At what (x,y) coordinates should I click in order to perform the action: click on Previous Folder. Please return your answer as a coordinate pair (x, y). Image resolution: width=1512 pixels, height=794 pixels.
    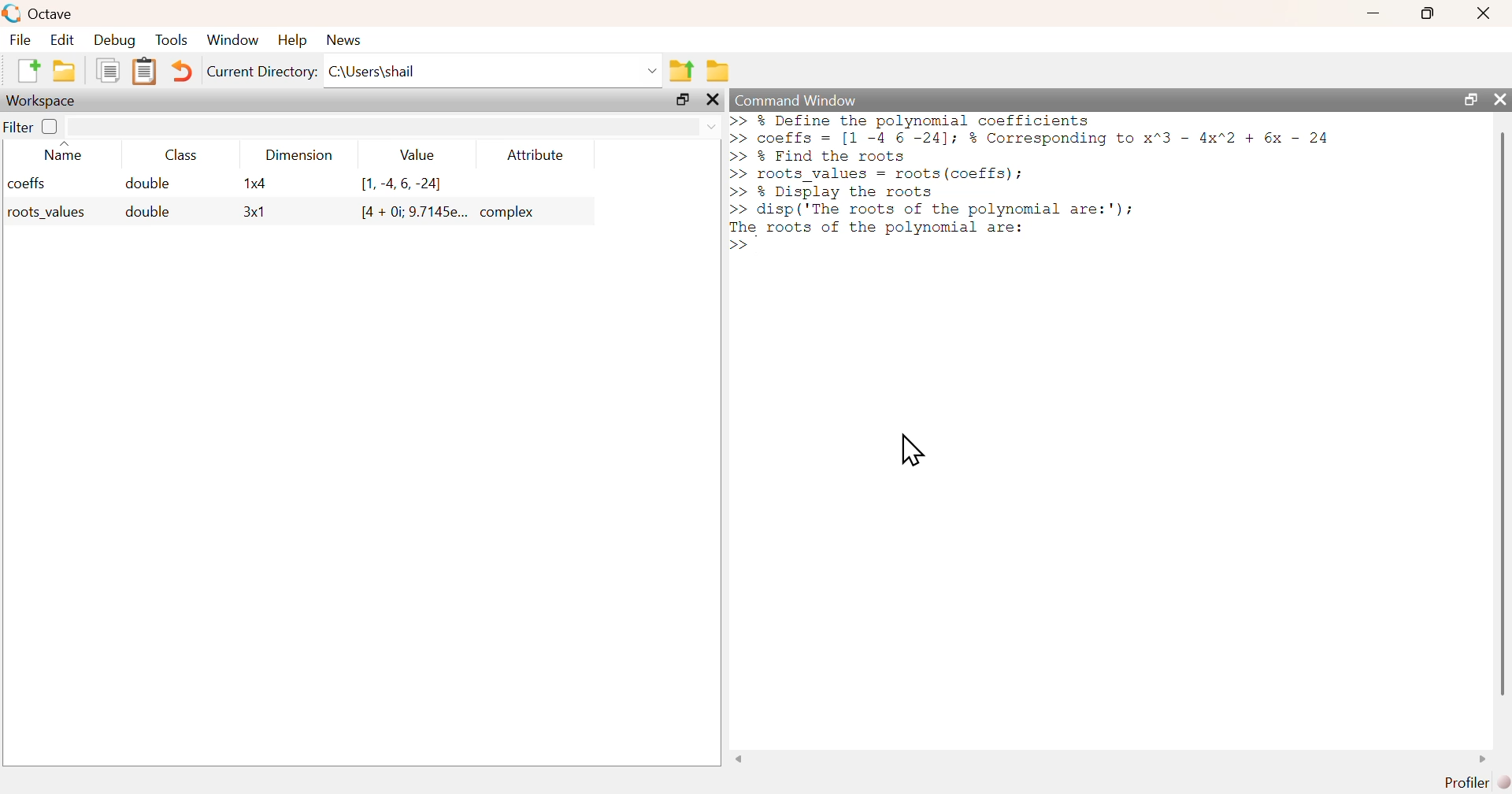
    Looking at the image, I should click on (681, 70).